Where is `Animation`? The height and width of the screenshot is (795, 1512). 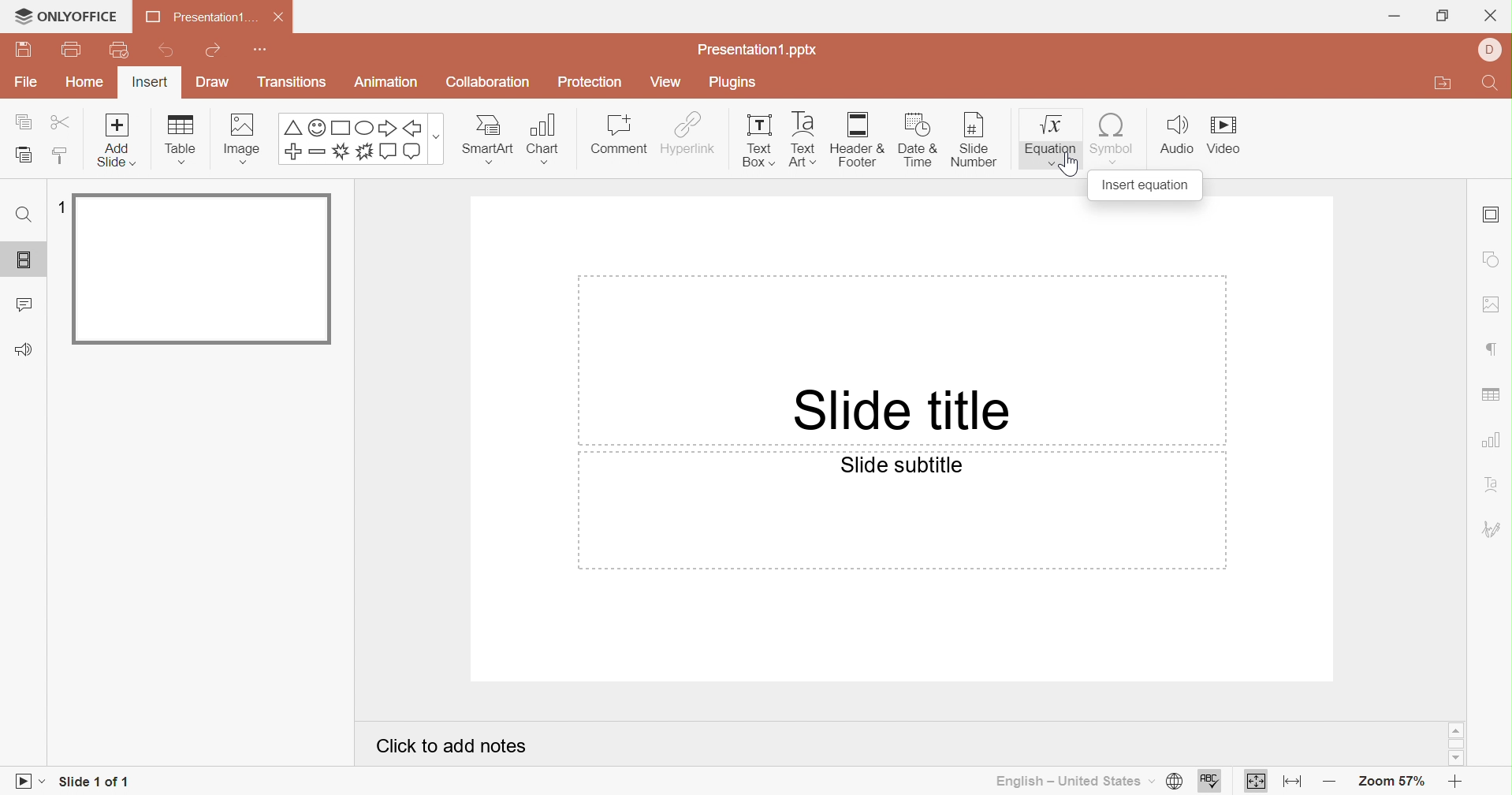
Animation is located at coordinates (390, 85).